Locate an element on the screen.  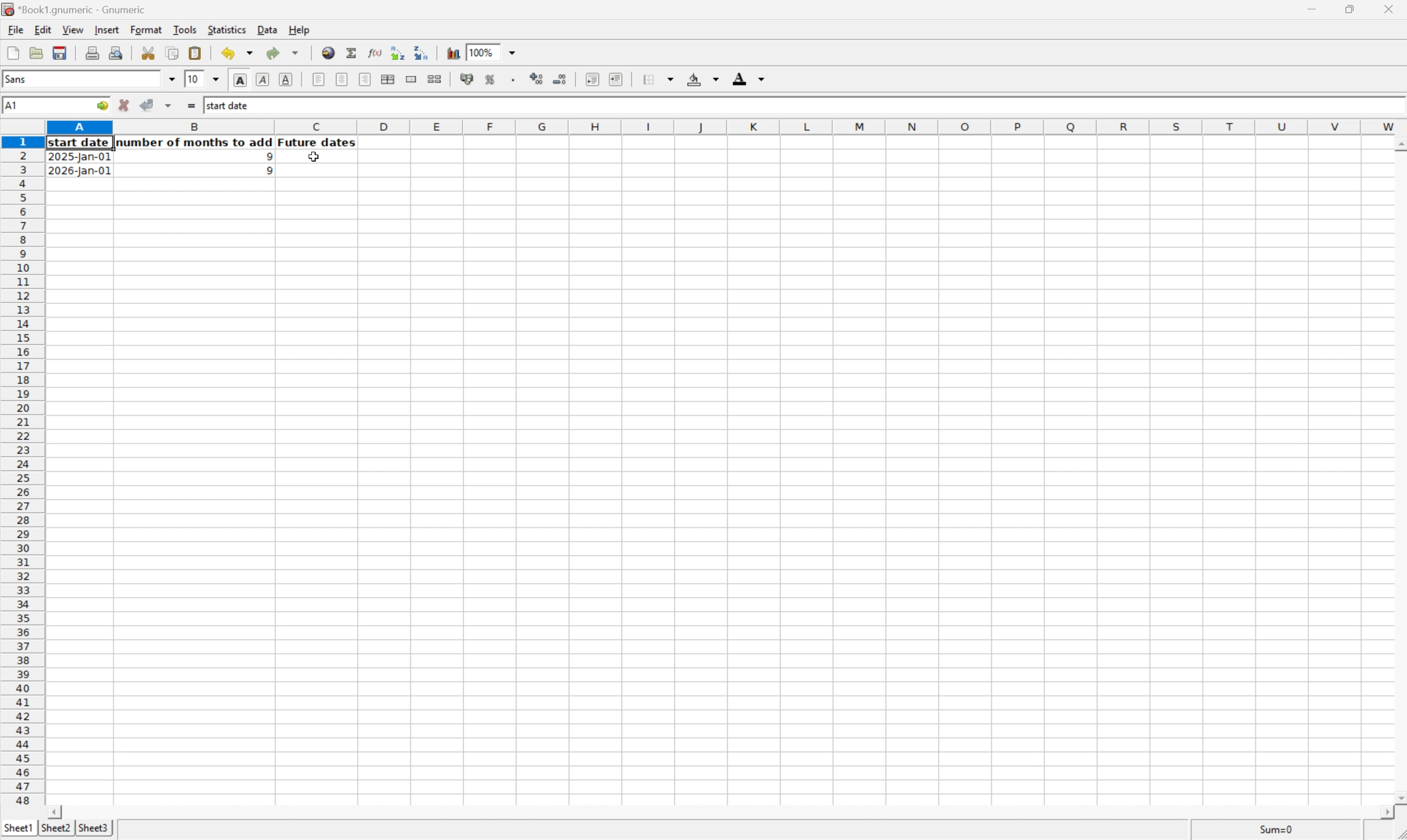
Insert a hyperlink is located at coordinates (329, 52).